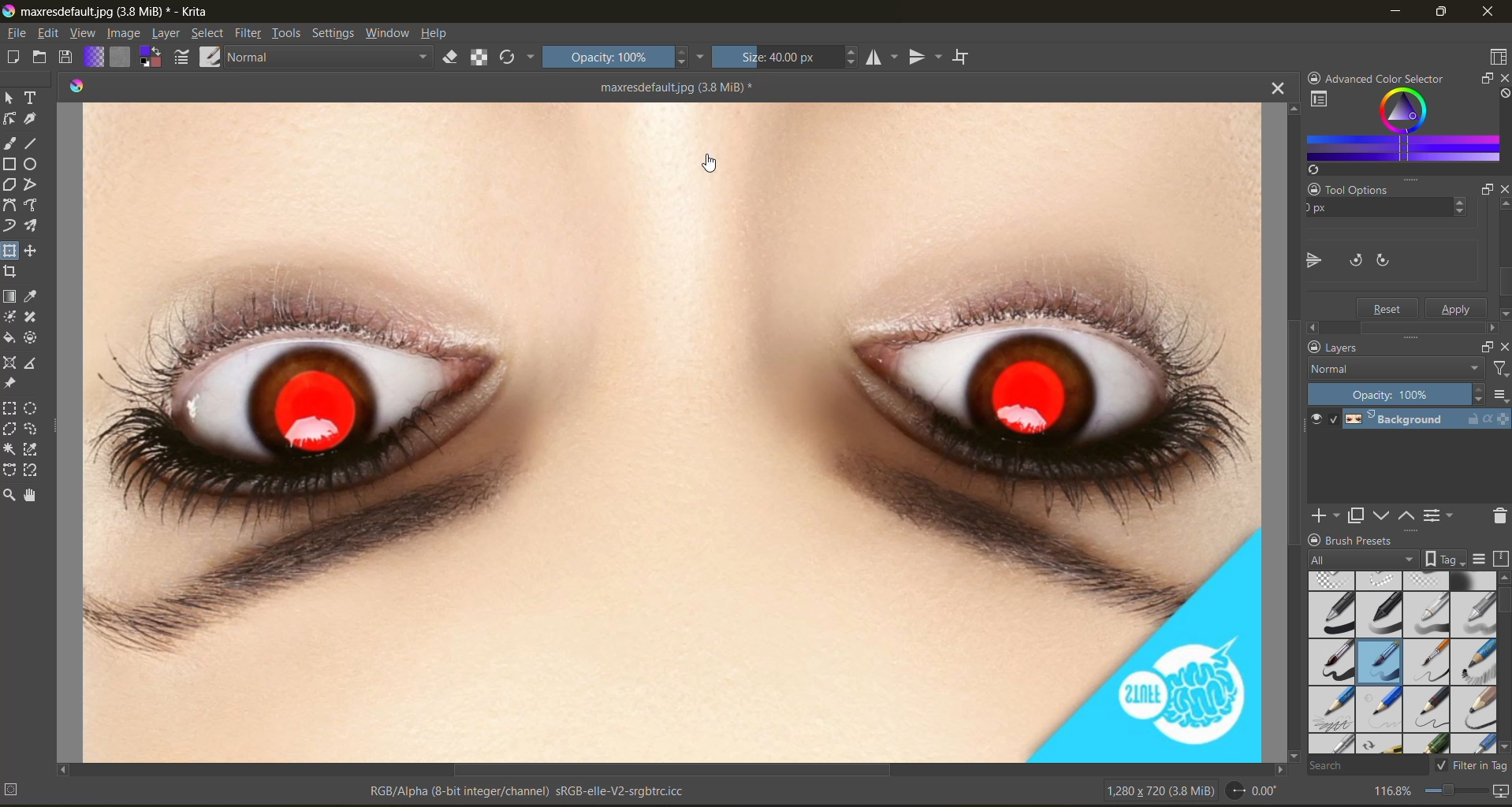 Image resolution: width=1512 pixels, height=807 pixels. Describe the element at coordinates (11, 164) in the screenshot. I see `tool` at that location.